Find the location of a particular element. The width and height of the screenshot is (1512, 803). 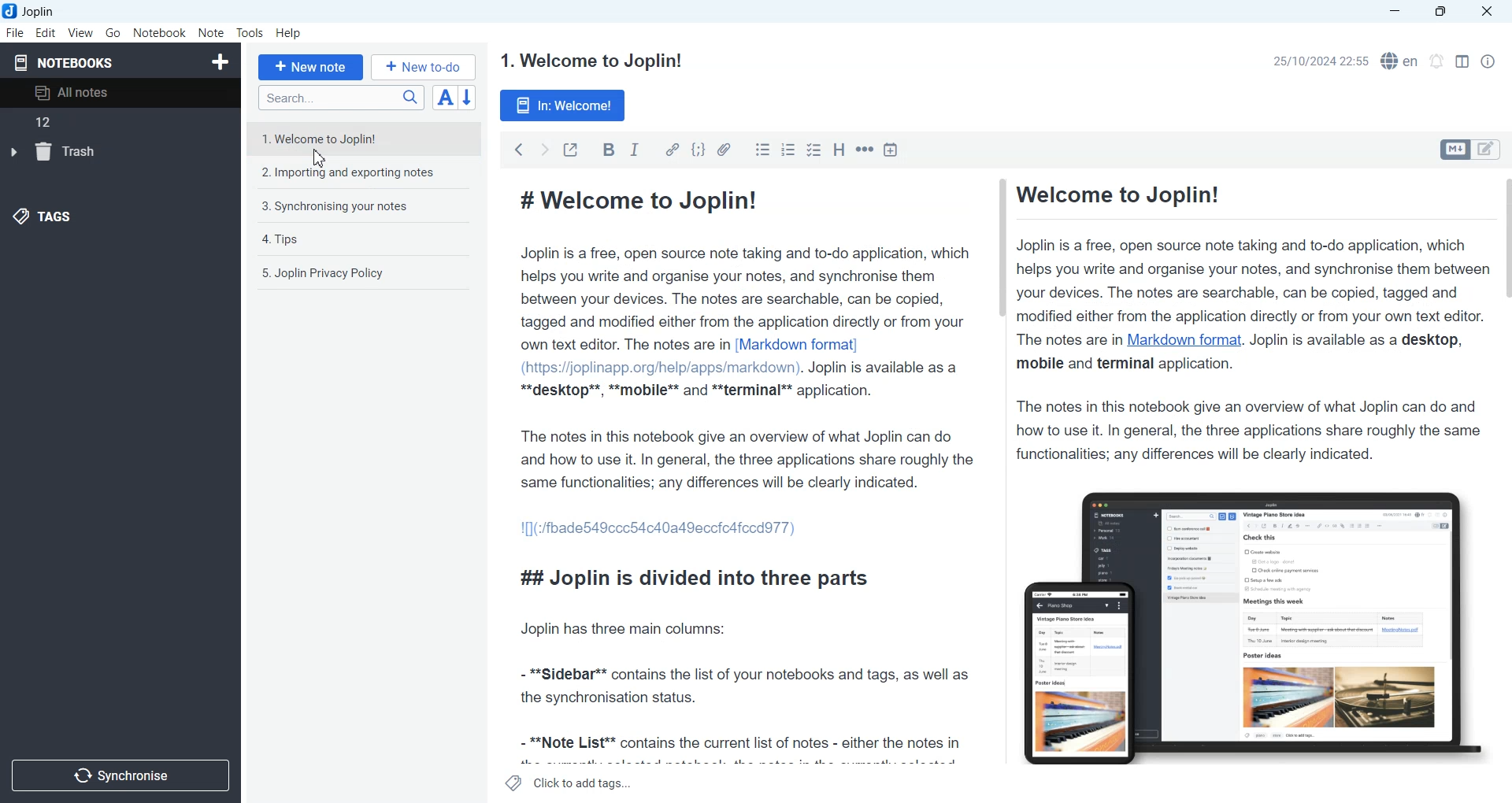

1. Welcome to Joplin! is located at coordinates (590, 61).